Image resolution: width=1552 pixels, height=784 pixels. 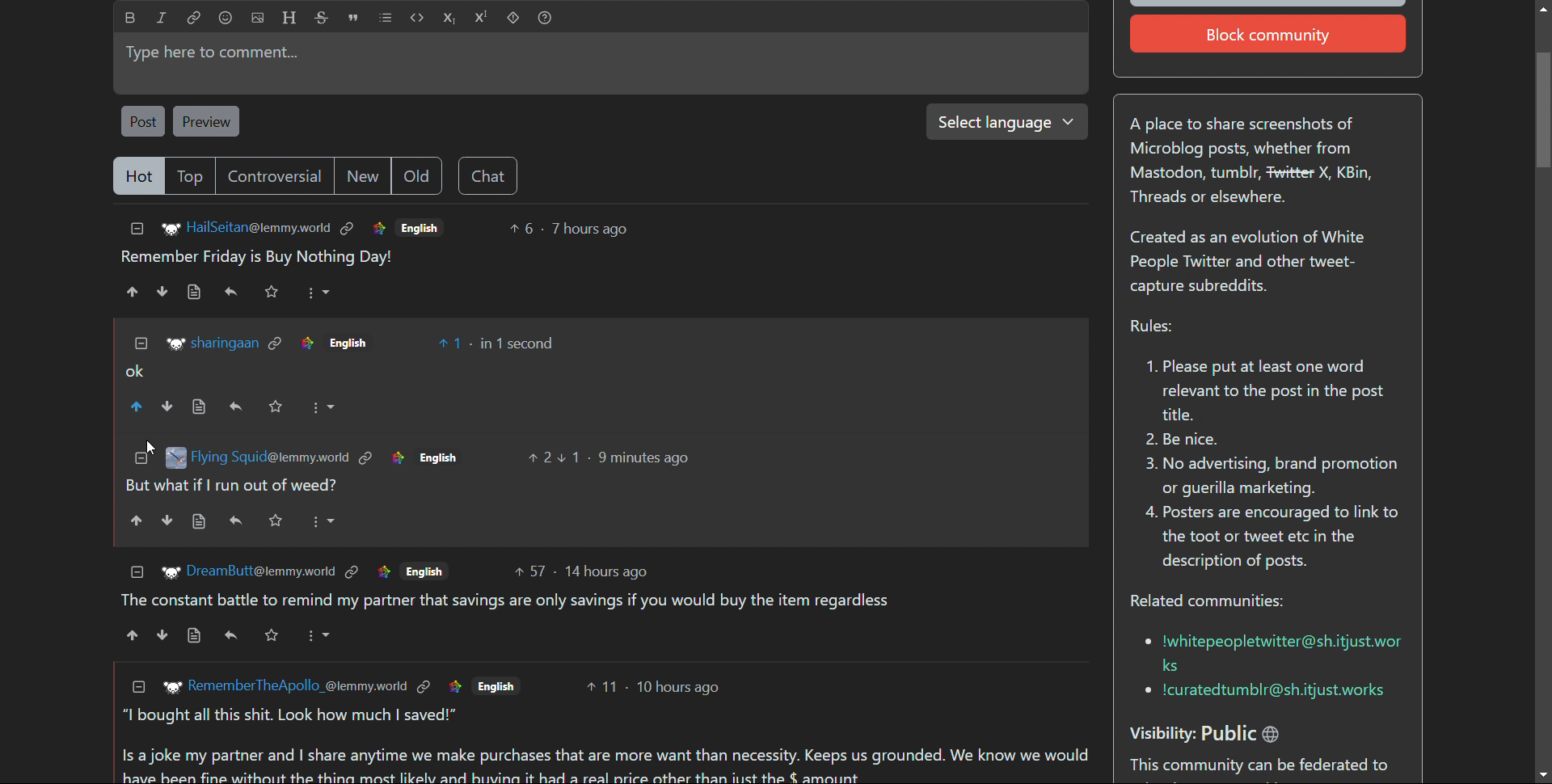 I want to click on reply, so click(x=236, y=521).